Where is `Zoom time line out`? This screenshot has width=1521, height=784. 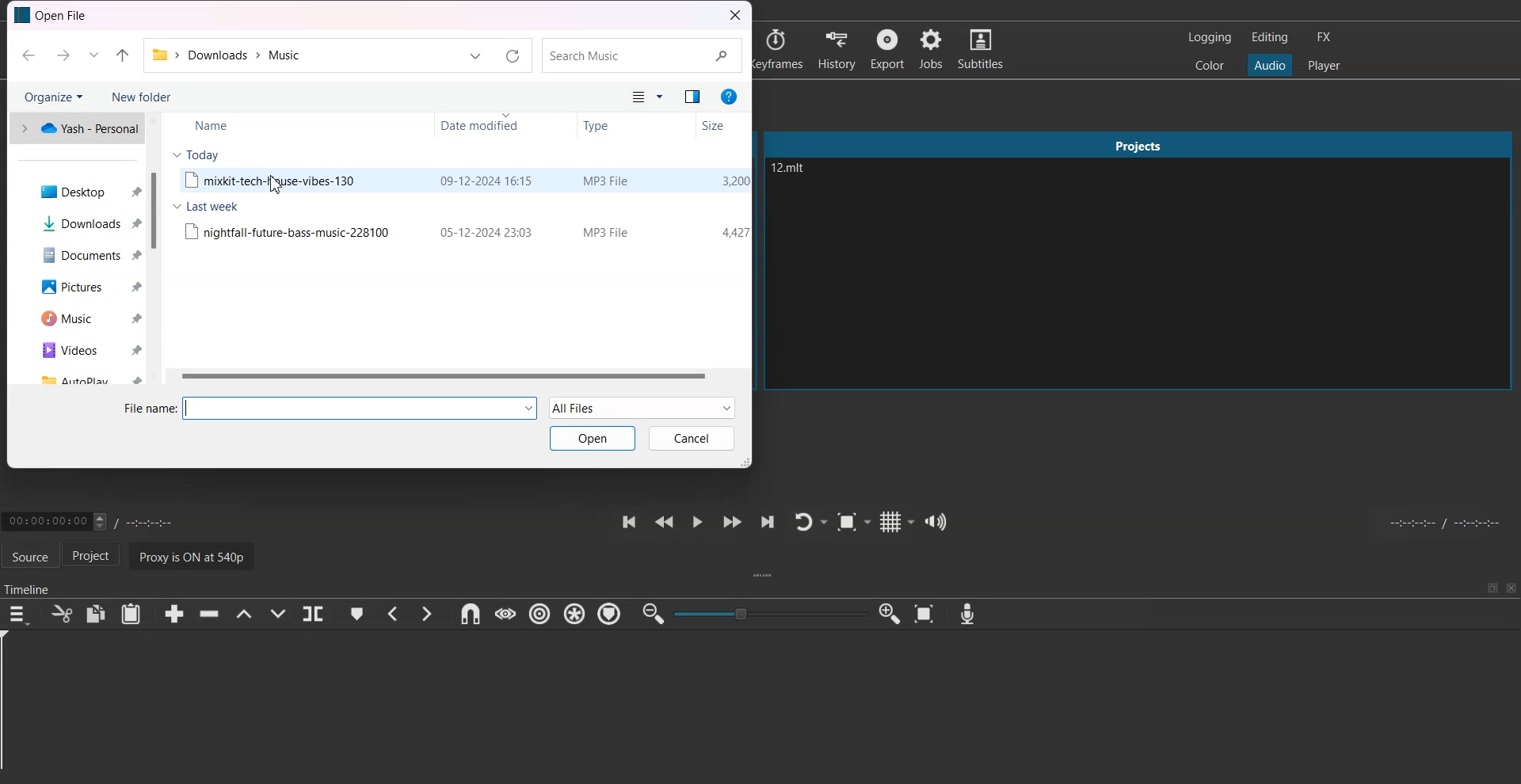
Zoom time line out is located at coordinates (652, 615).